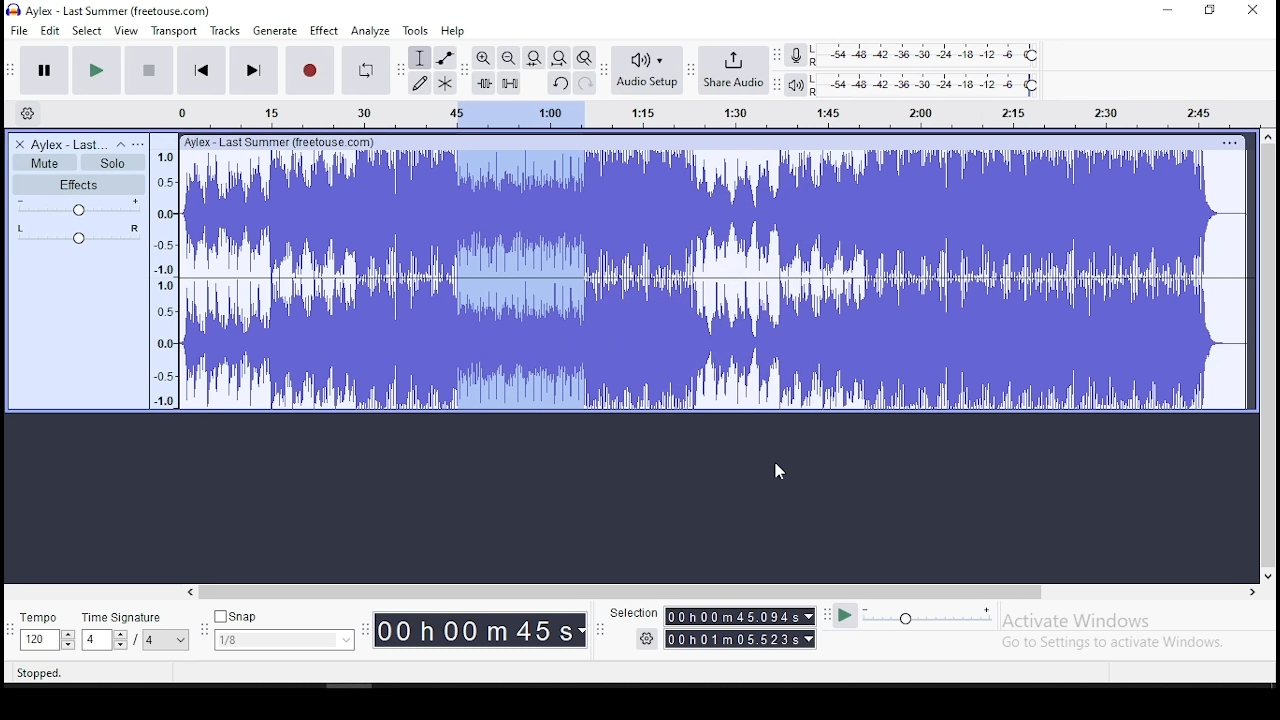  Describe the element at coordinates (585, 57) in the screenshot. I see `zoom toggle` at that location.